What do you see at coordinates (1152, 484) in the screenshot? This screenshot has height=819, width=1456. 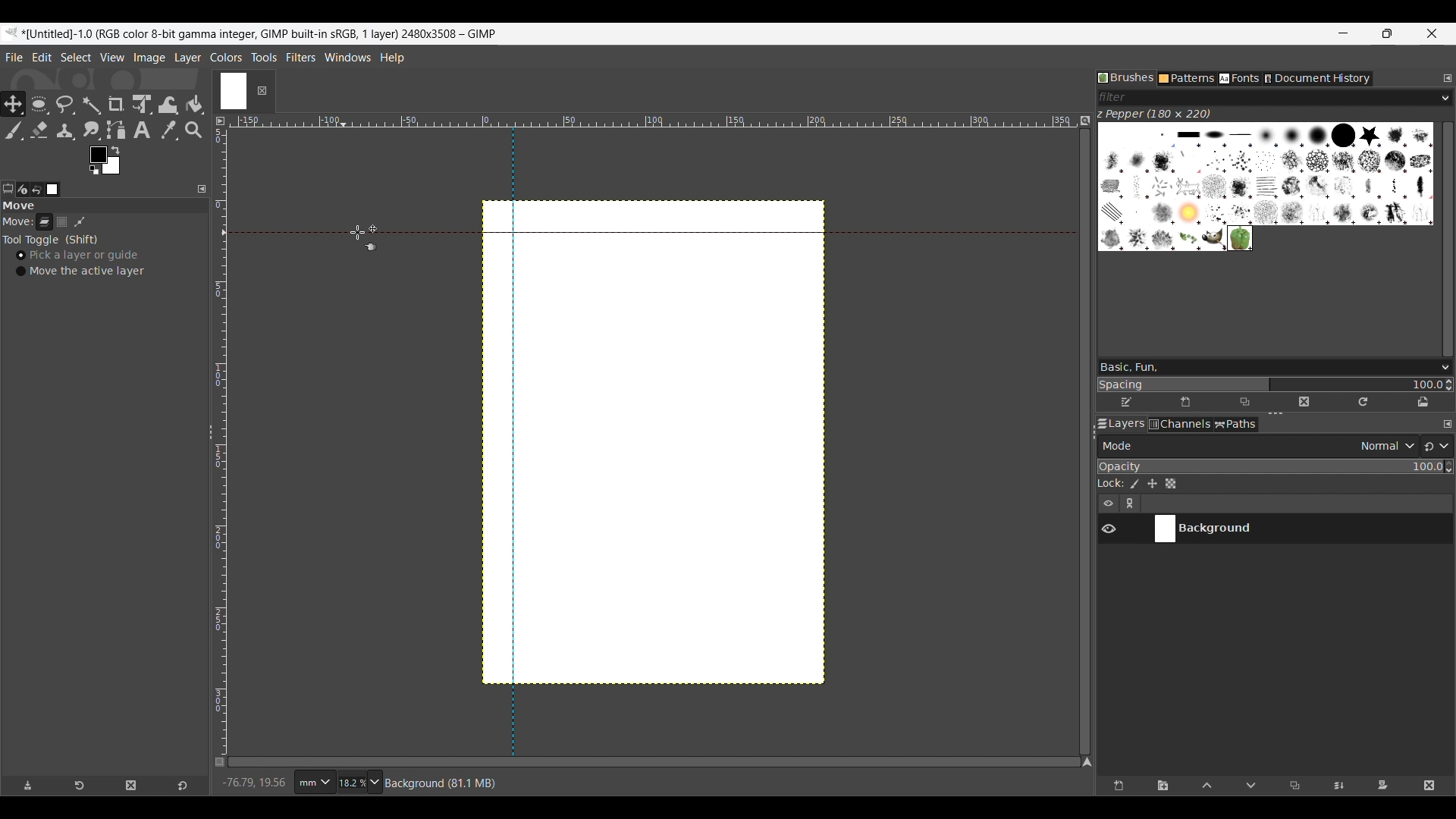 I see `Lock position and size` at bounding box center [1152, 484].